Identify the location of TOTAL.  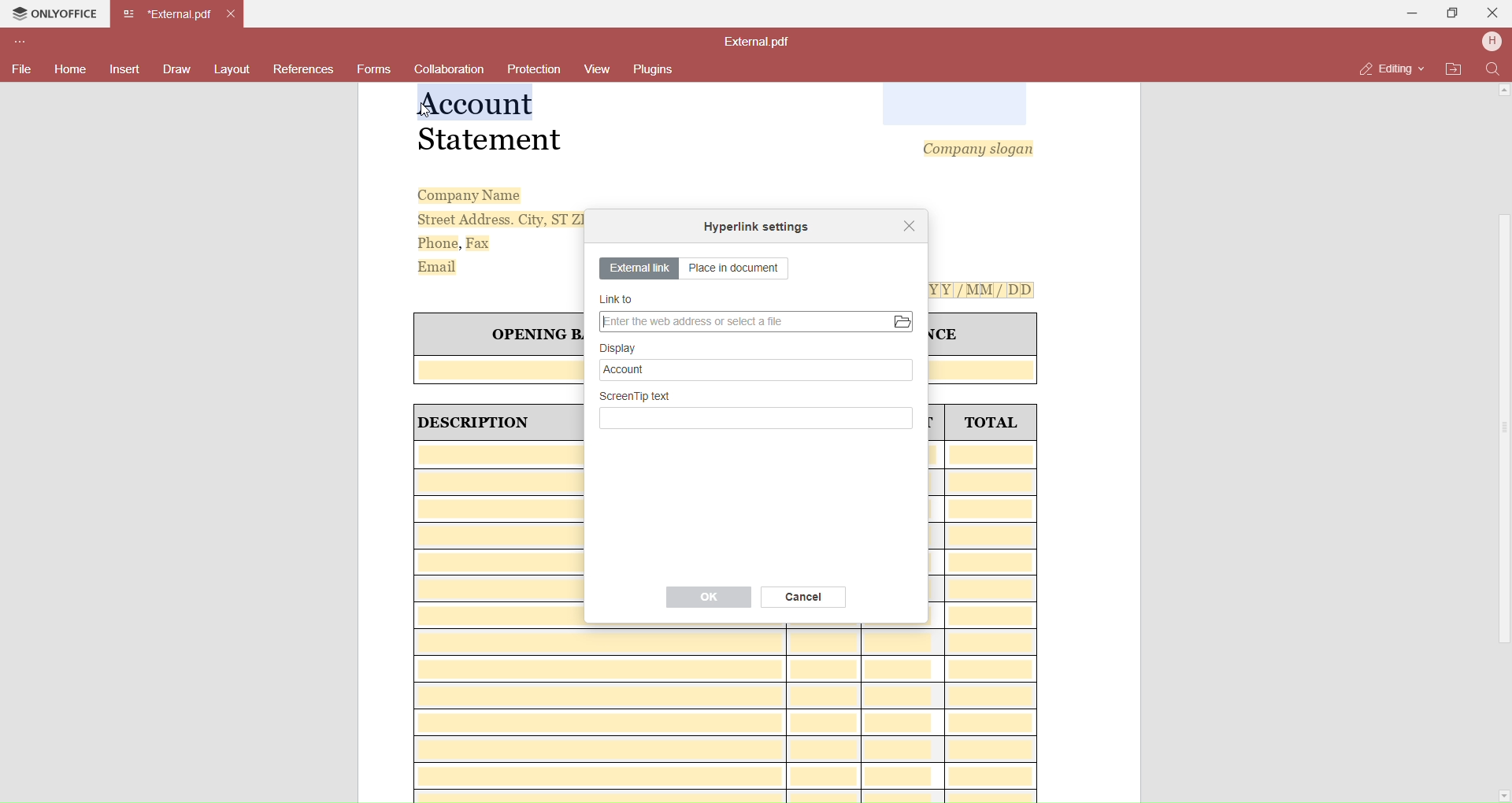
(991, 423).